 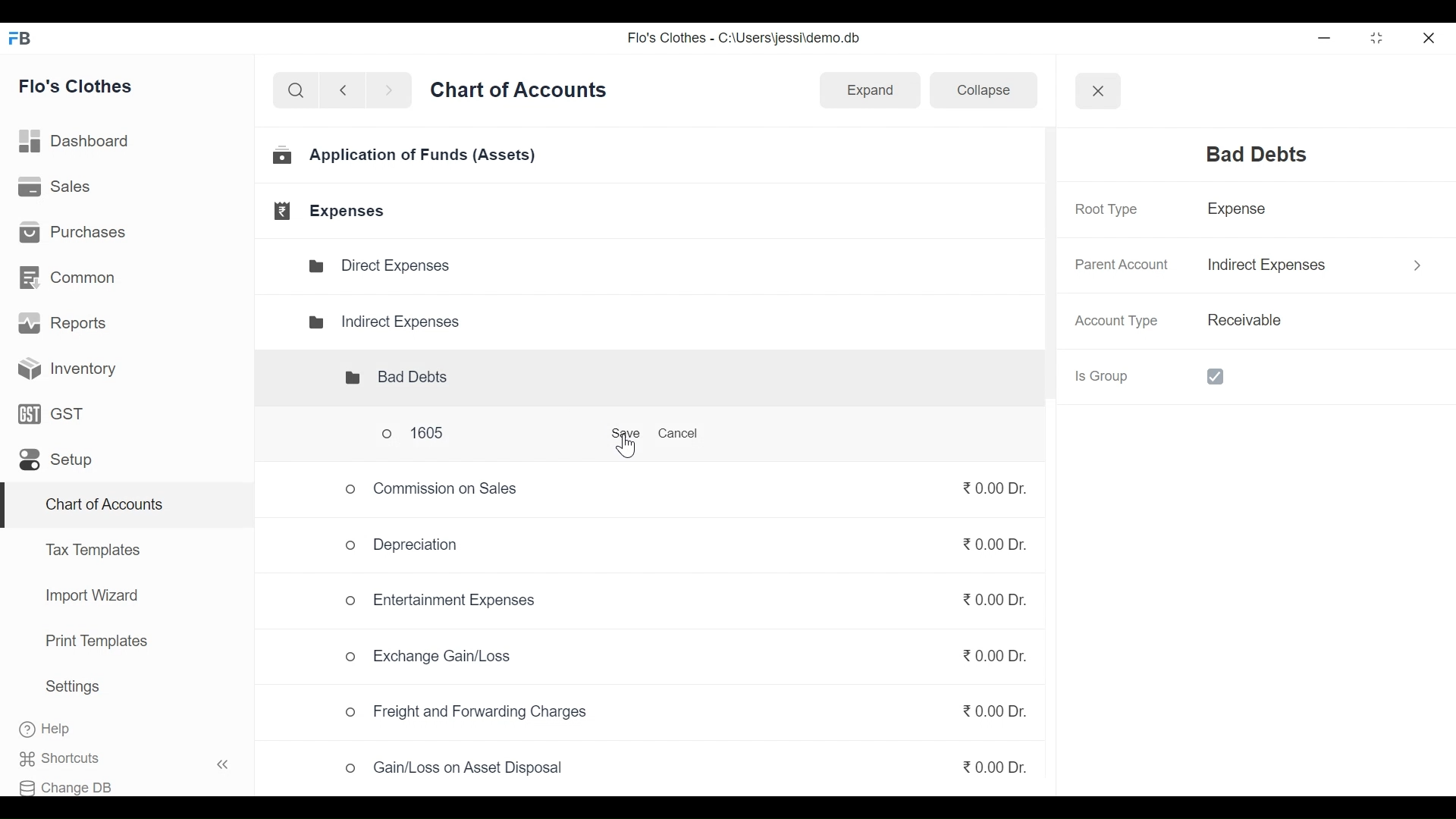 I want to click on ₹0.00 Dr., so click(x=983, y=595).